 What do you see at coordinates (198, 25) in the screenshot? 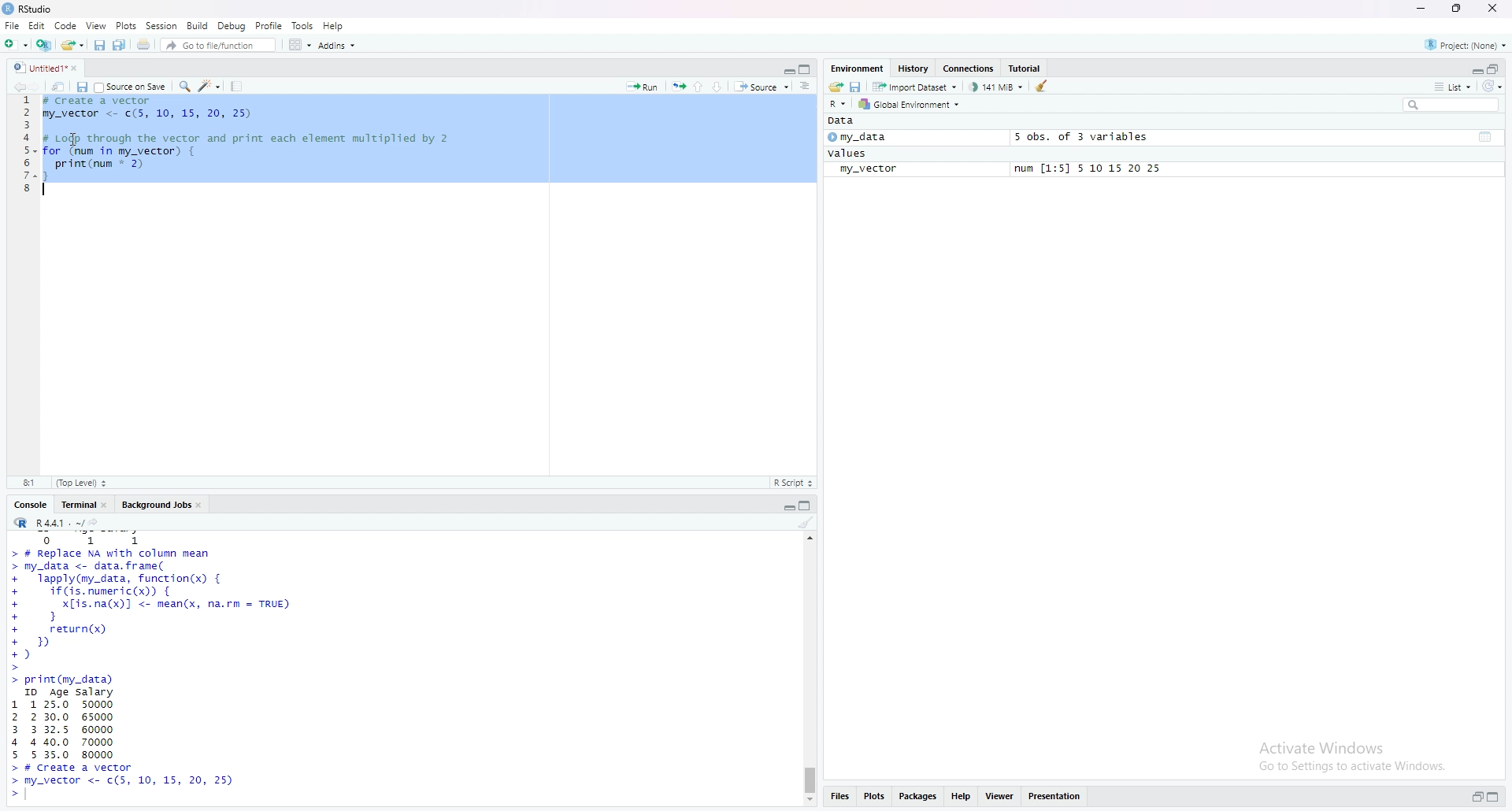
I see `build` at bounding box center [198, 25].